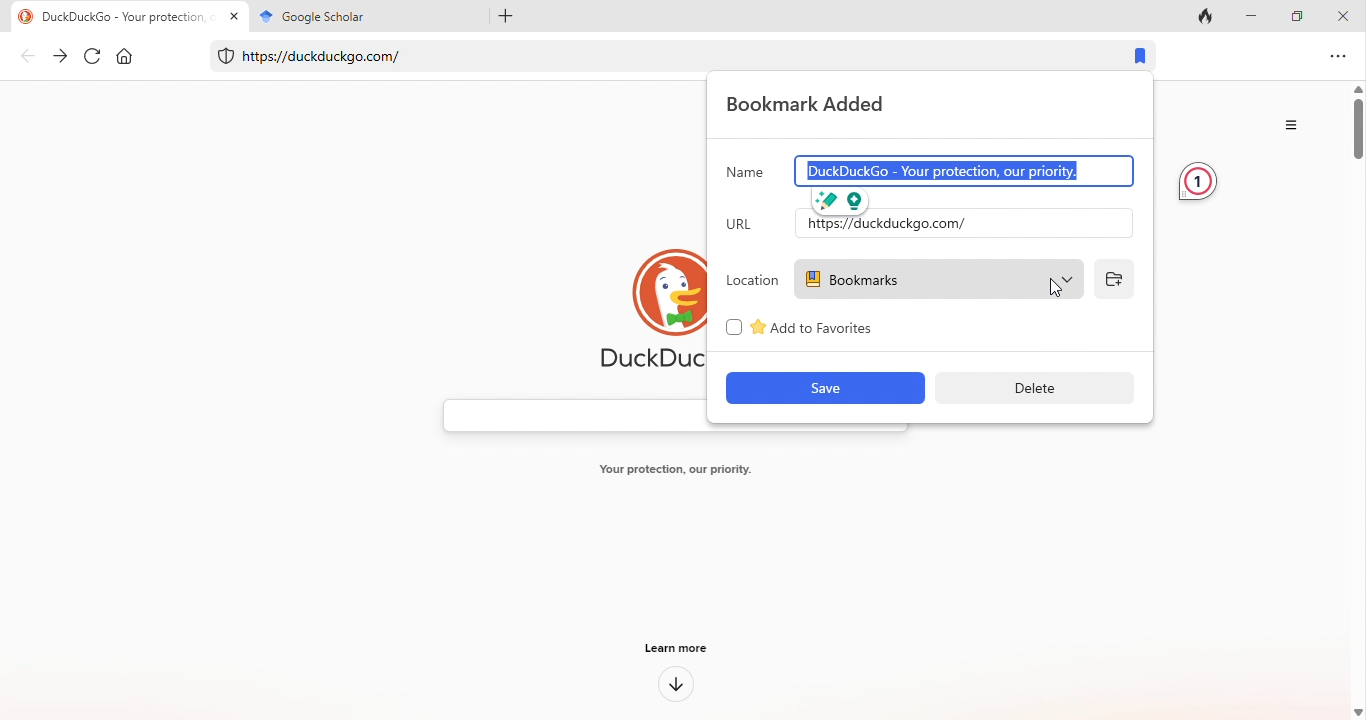 The width and height of the screenshot is (1366, 720). I want to click on web link, so click(652, 52).